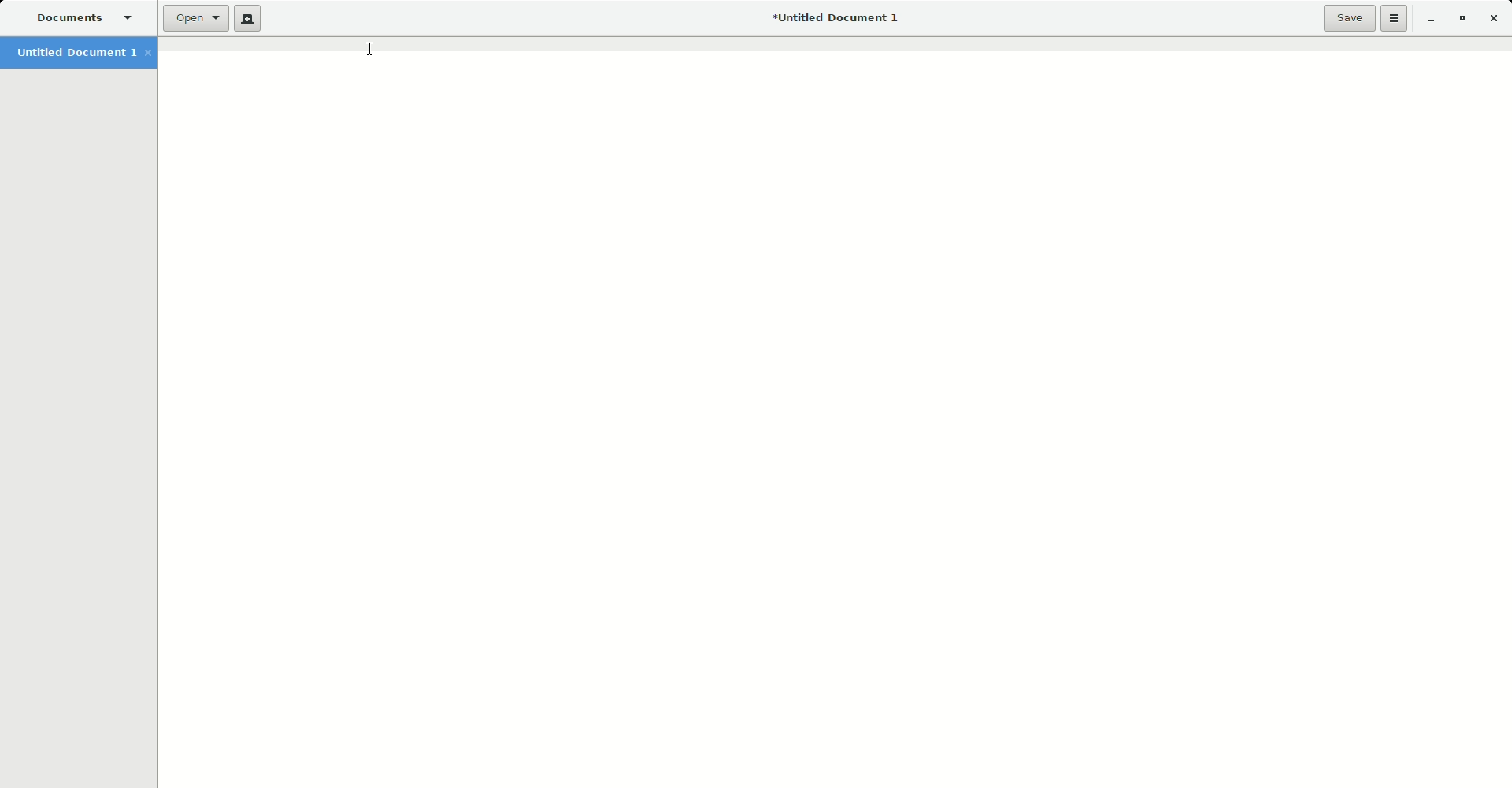 Image resolution: width=1512 pixels, height=788 pixels. I want to click on Restore, so click(1460, 18).